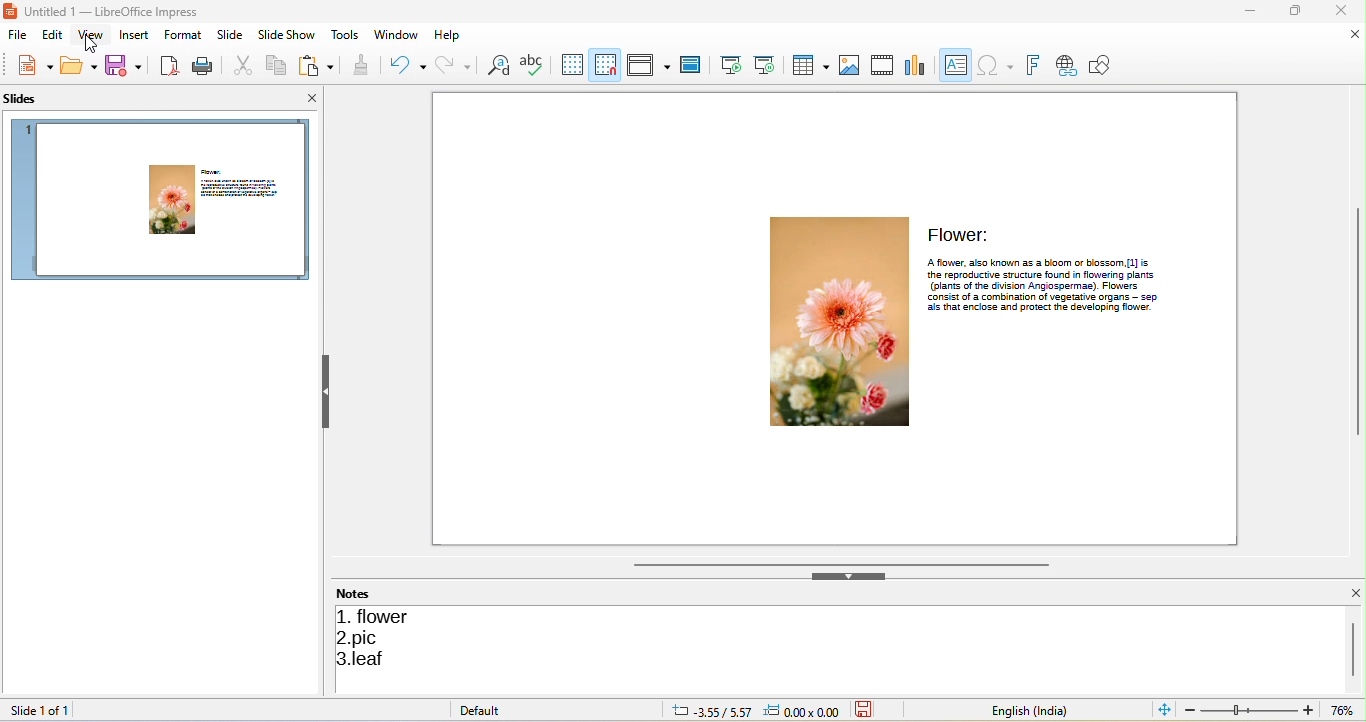  What do you see at coordinates (1355, 35) in the screenshot?
I see `close` at bounding box center [1355, 35].